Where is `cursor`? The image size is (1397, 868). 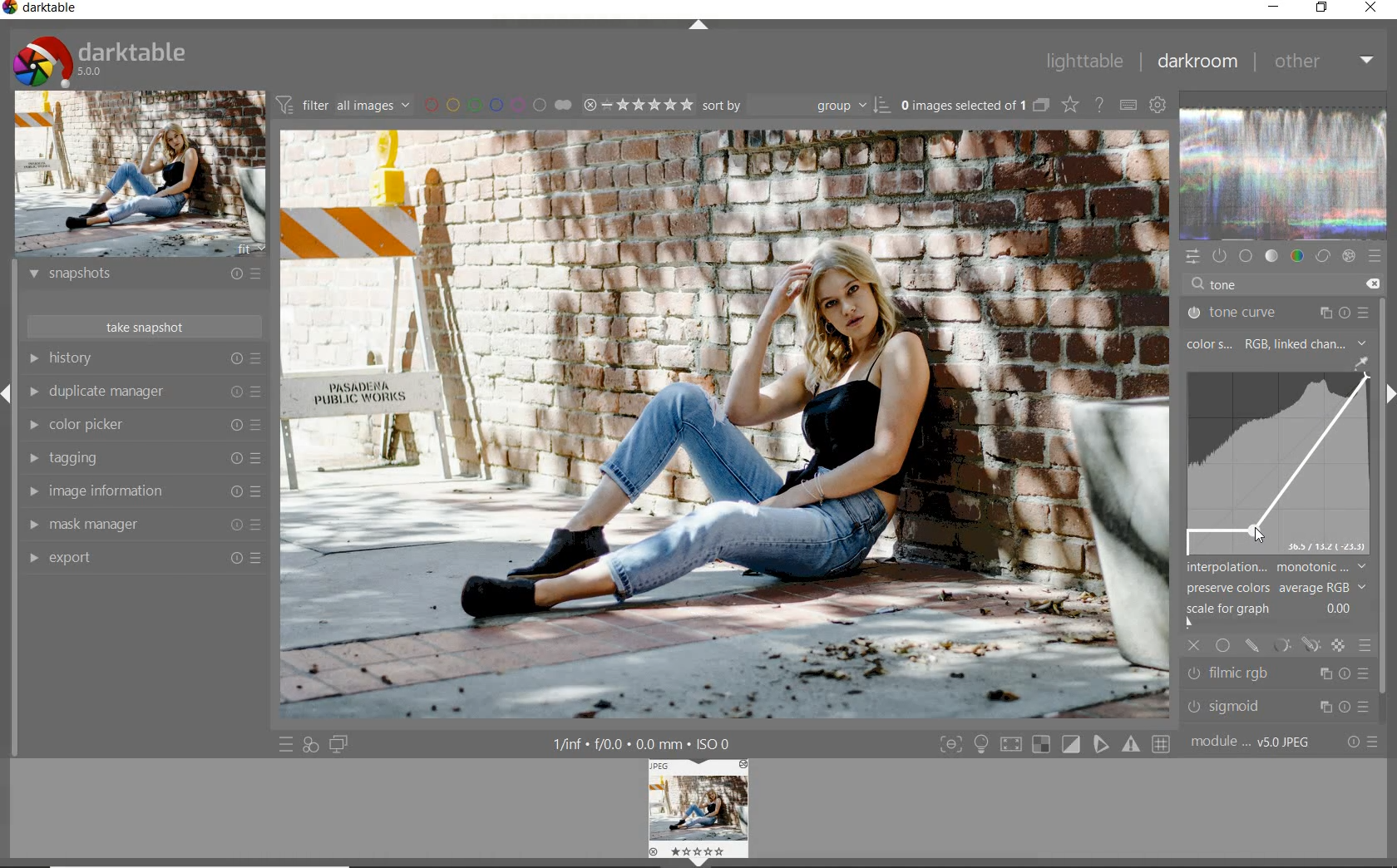
cursor is located at coordinates (1259, 538).